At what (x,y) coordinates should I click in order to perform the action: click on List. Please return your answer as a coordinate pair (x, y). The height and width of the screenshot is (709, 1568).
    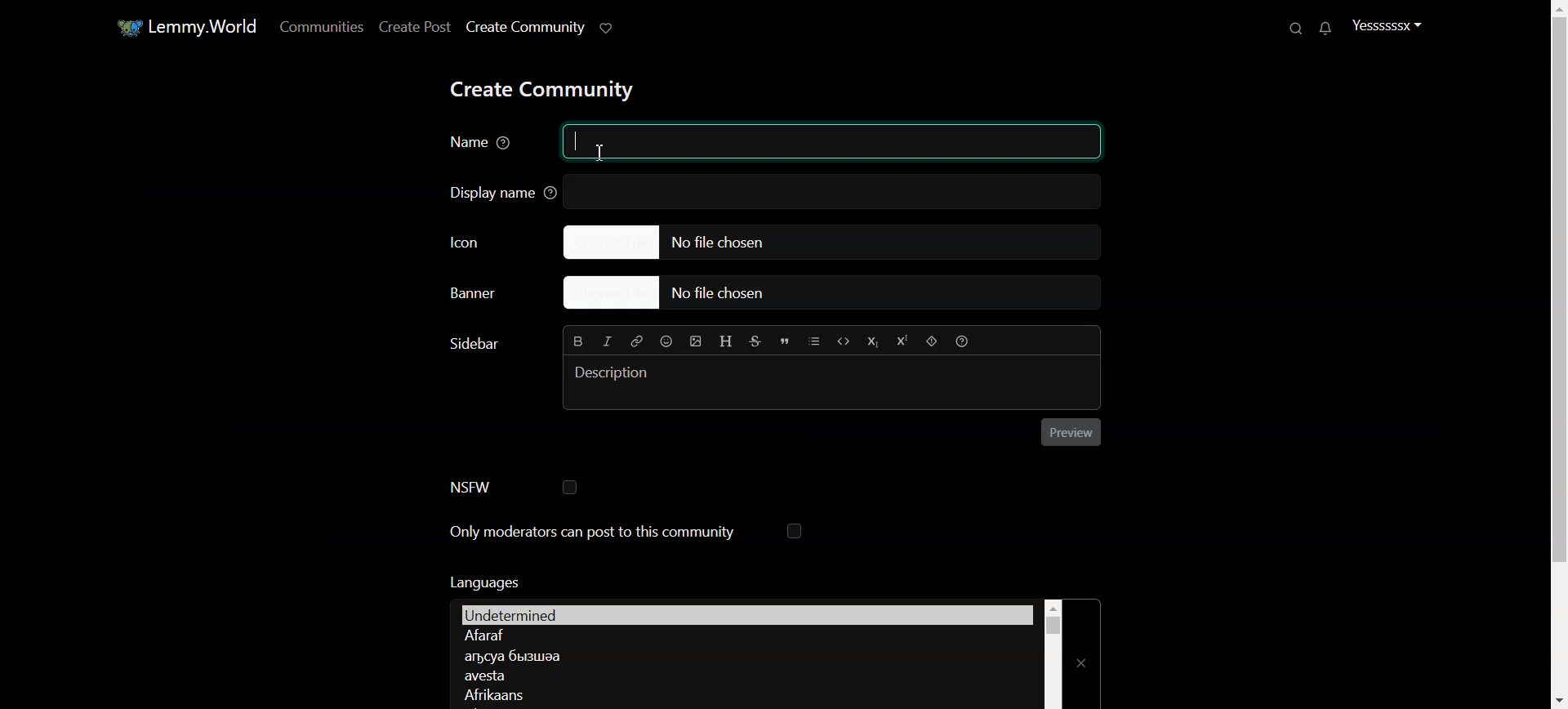
    Looking at the image, I should click on (814, 341).